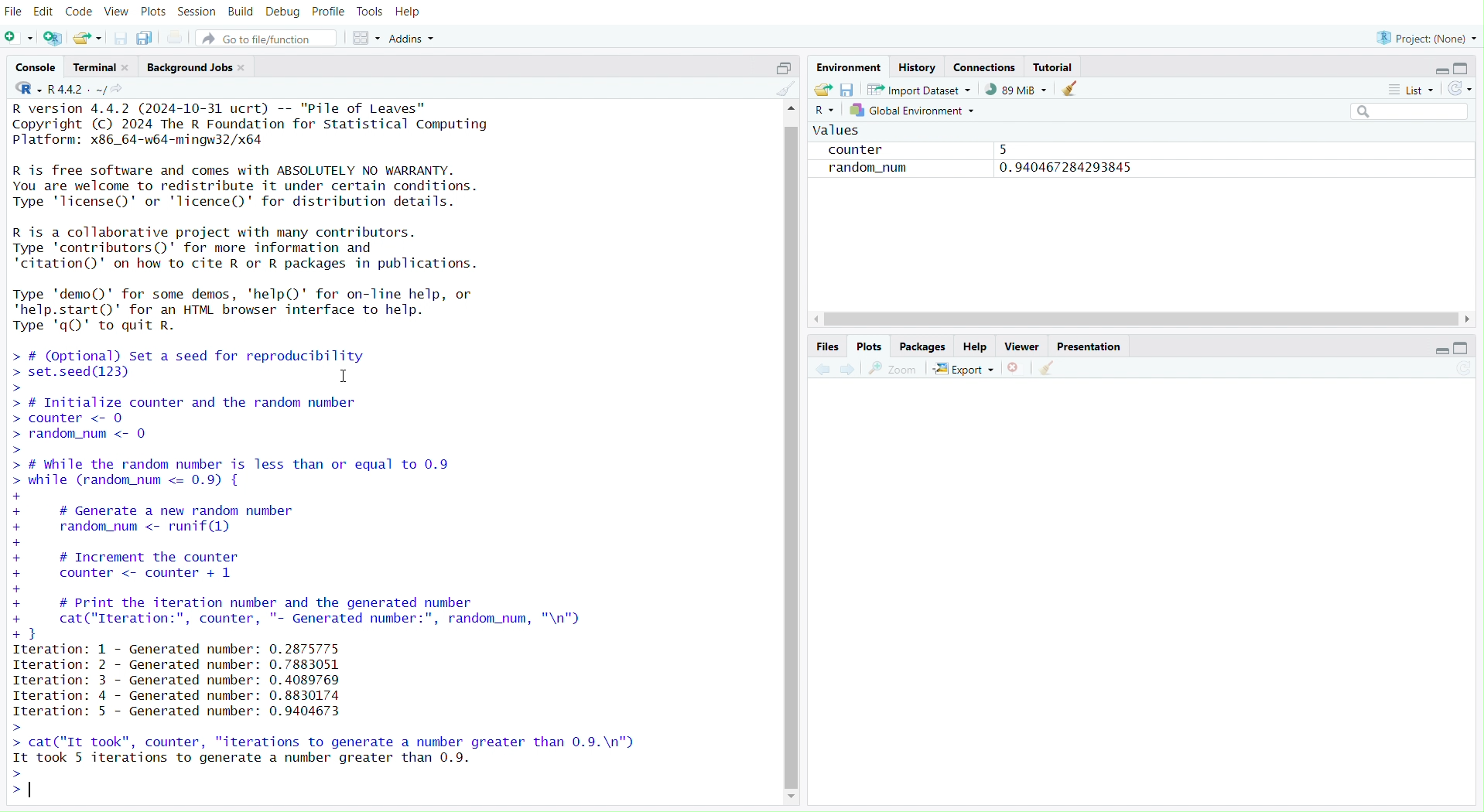 This screenshot has height=812, width=1484. What do you see at coordinates (915, 111) in the screenshot?
I see `Global Environment` at bounding box center [915, 111].